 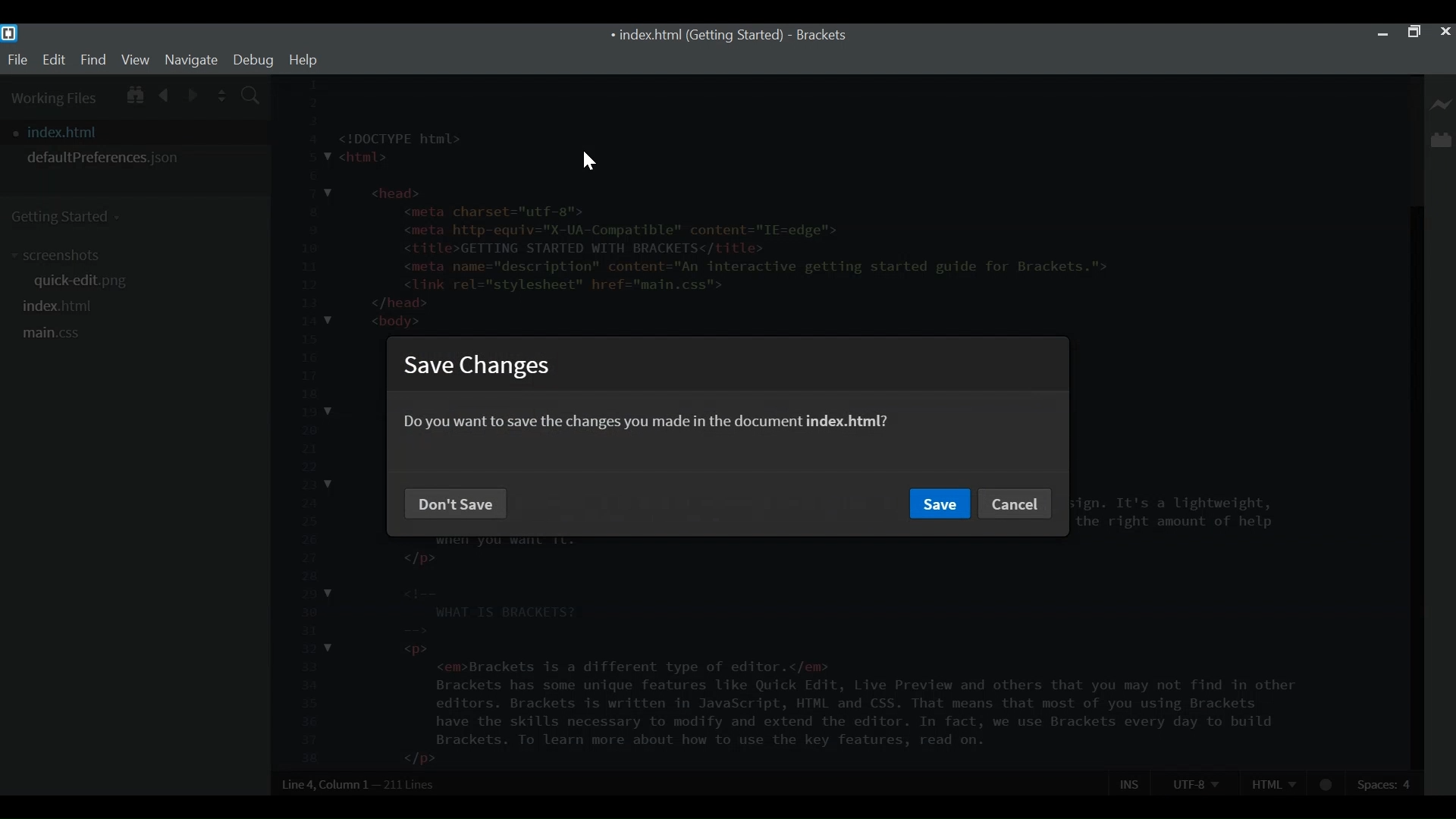 What do you see at coordinates (193, 93) in the screenshot?
I see `Navigate Forward` at bounding box center [193, 93].